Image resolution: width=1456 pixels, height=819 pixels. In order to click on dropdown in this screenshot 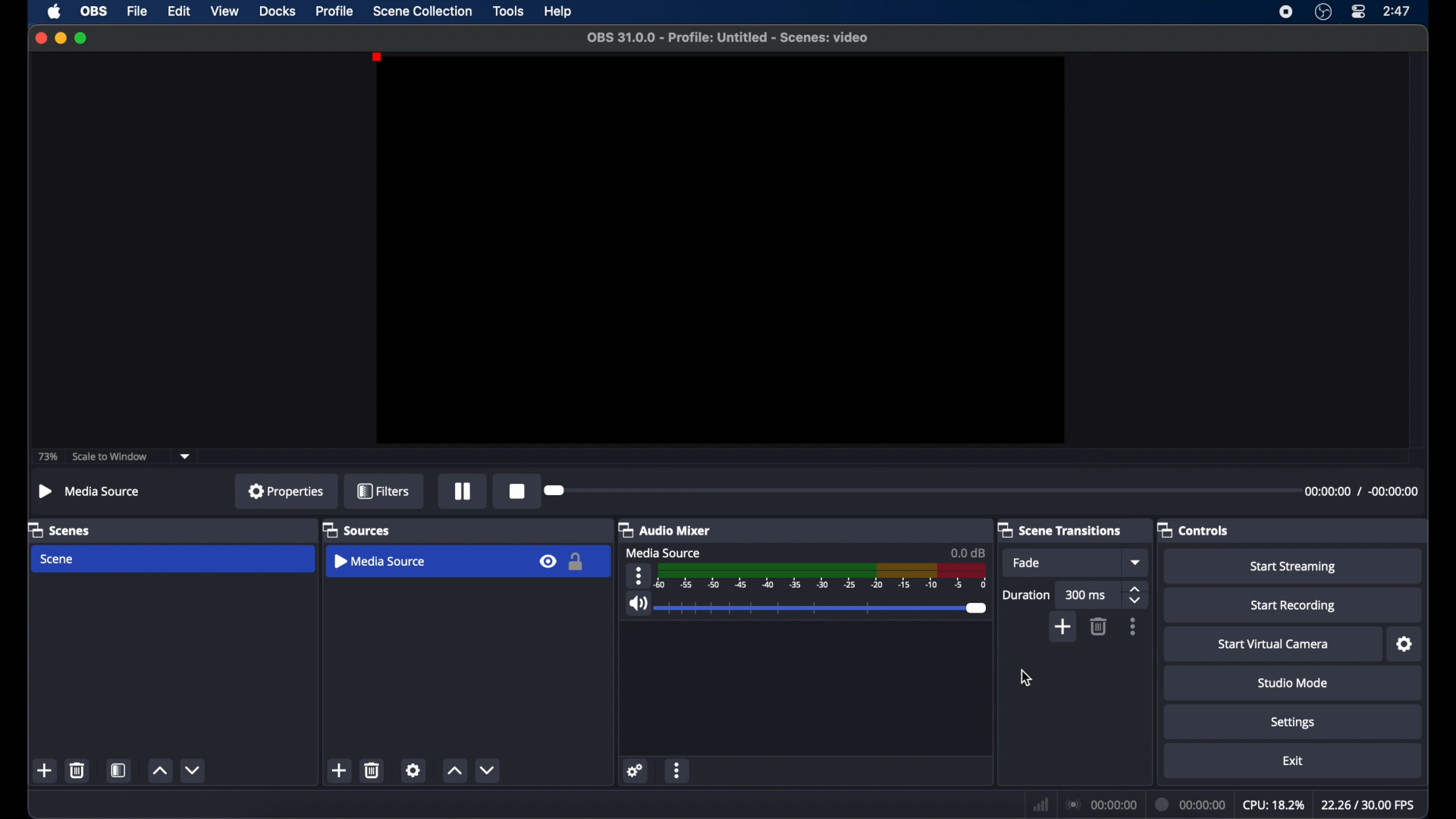, I will do `click(1137, 562)`.